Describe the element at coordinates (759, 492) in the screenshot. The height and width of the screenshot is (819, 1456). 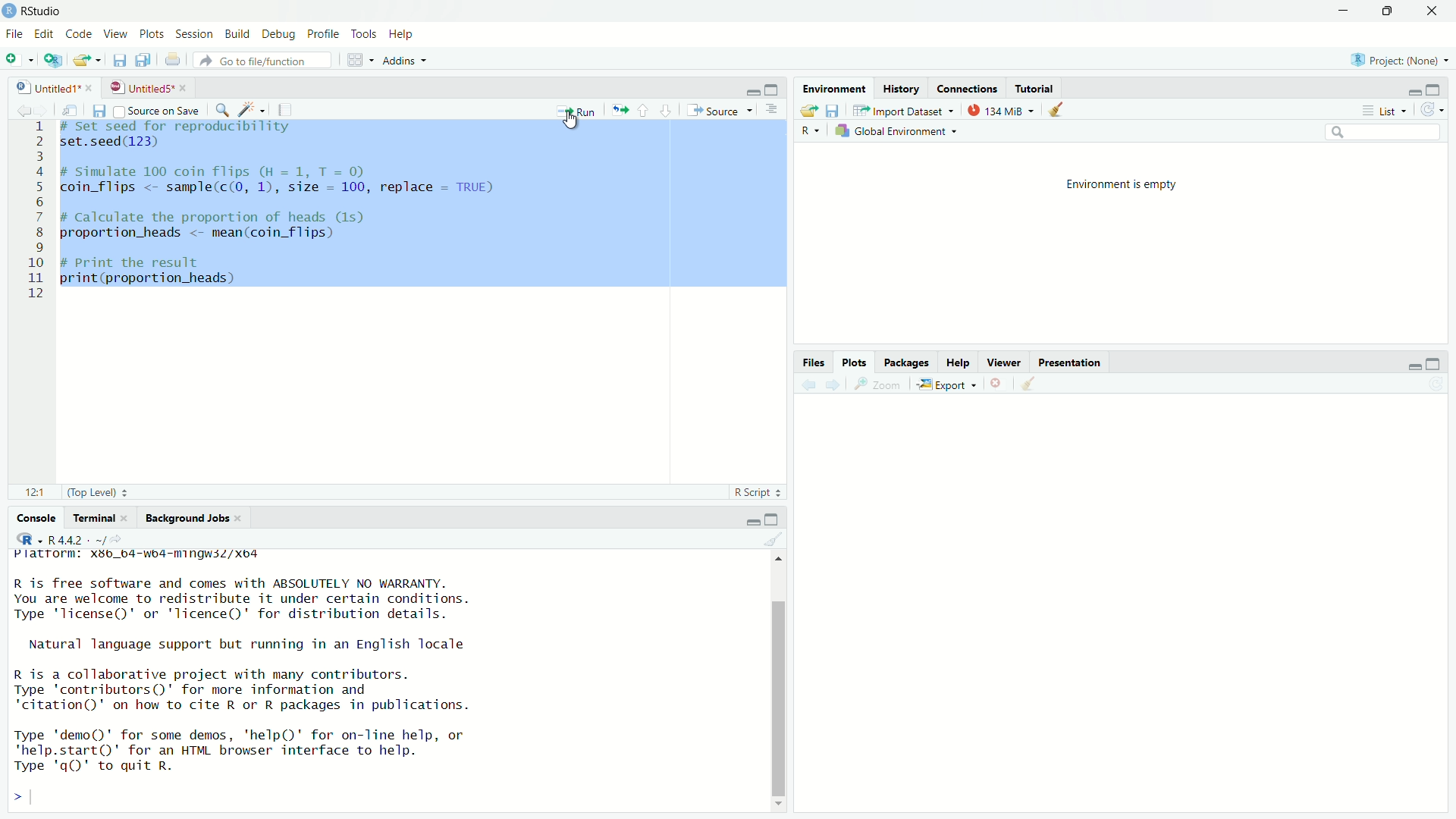
I see `R Script` at that location.